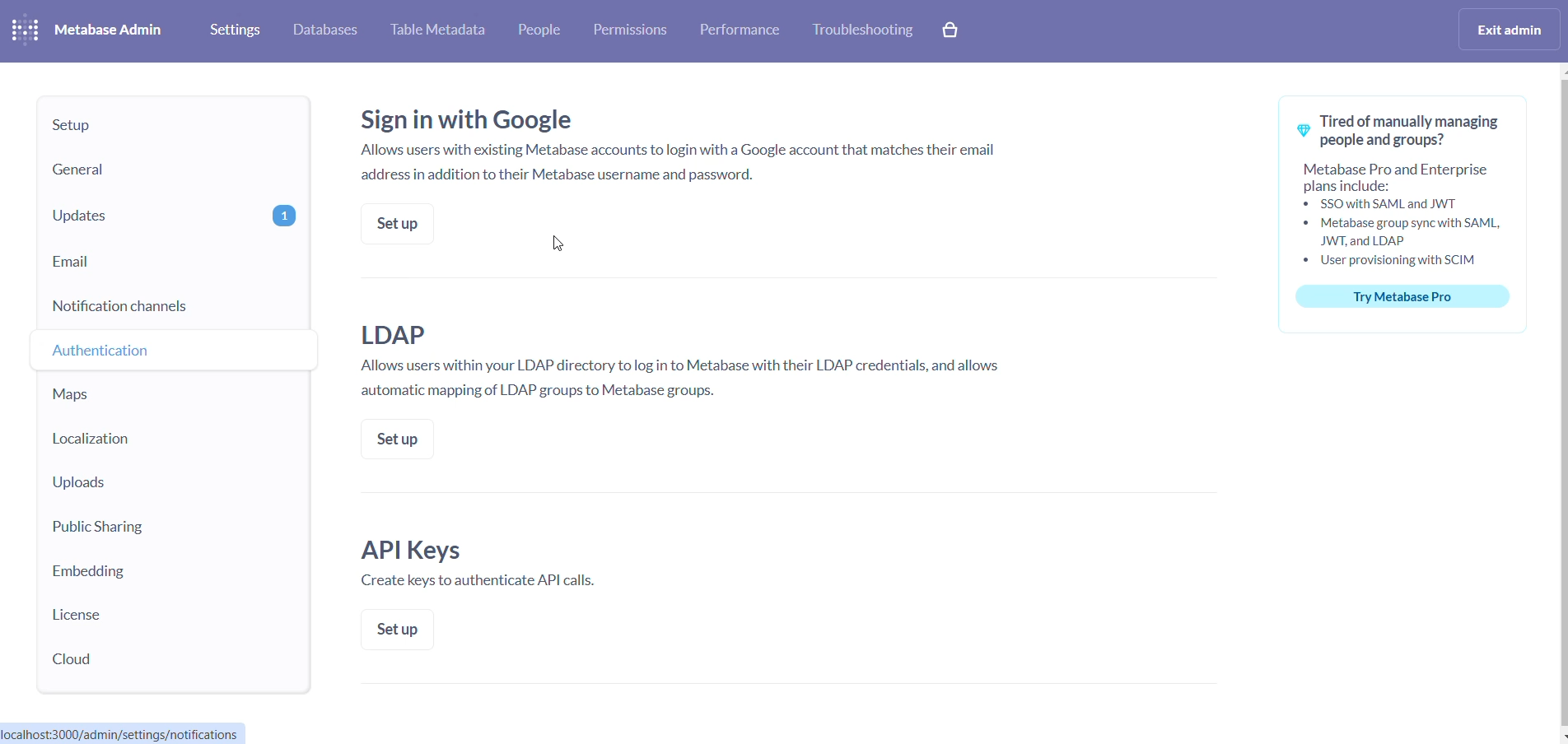  Describe the element at coordinates (158, 125) in the screenshot. I see `setup` at that location.